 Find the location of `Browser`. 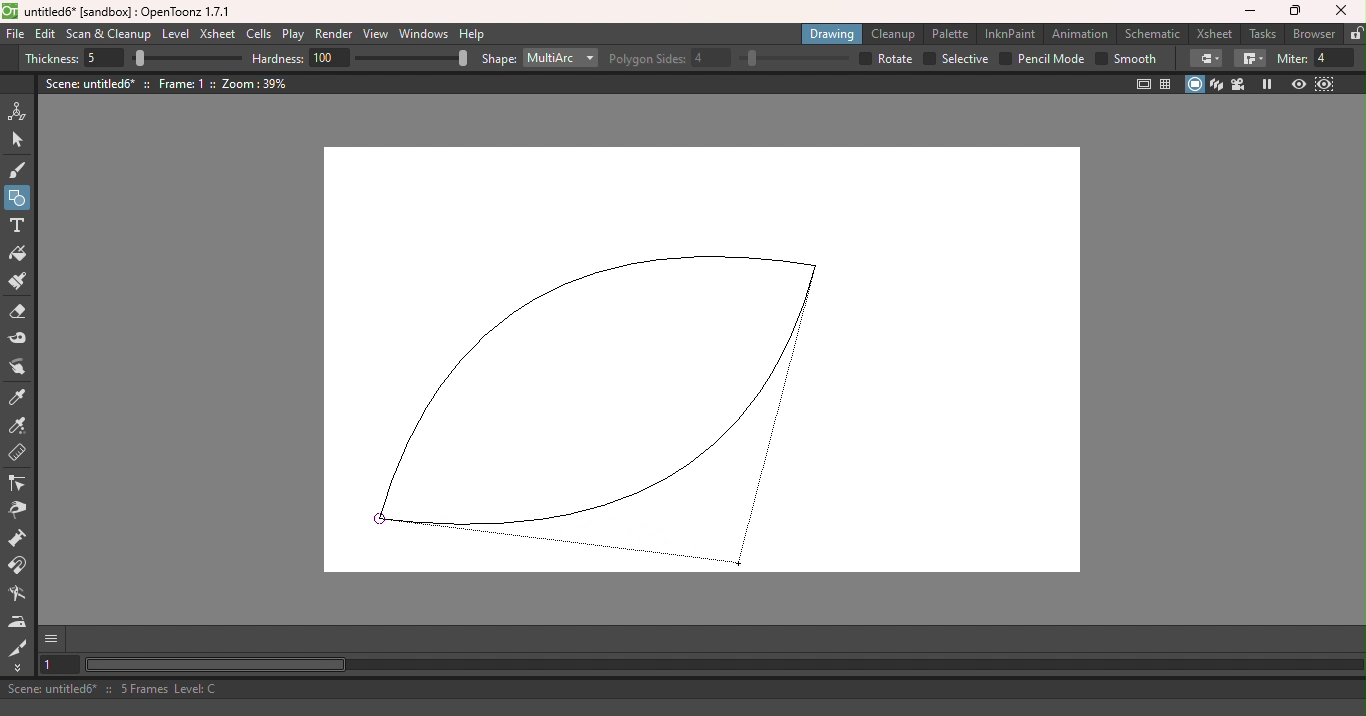

Browser is located at coordinates (1314, 33).